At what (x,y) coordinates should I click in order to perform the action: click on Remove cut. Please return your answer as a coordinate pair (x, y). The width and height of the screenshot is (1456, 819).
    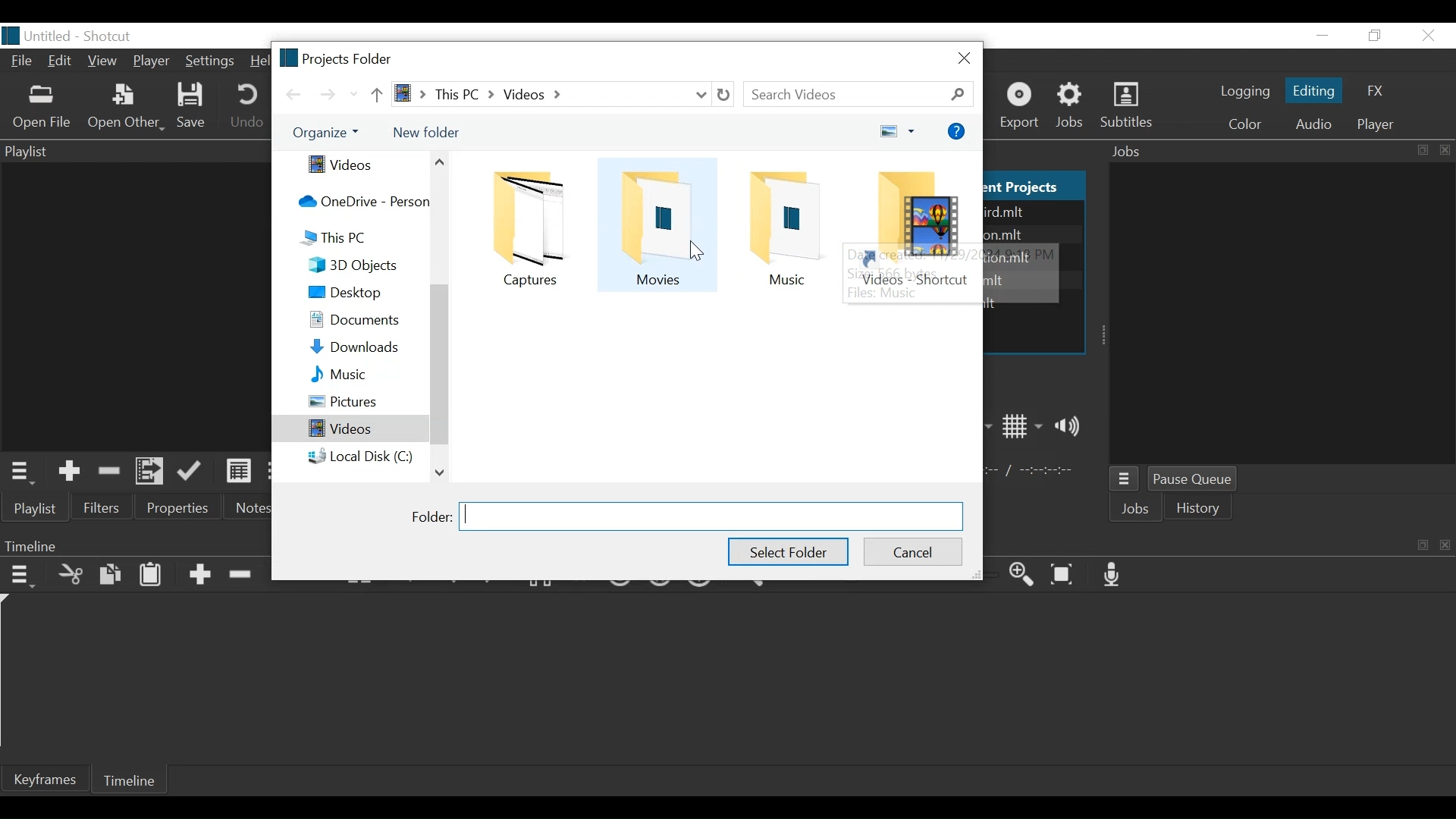
    Looking at the image, I should click on (108, 470).